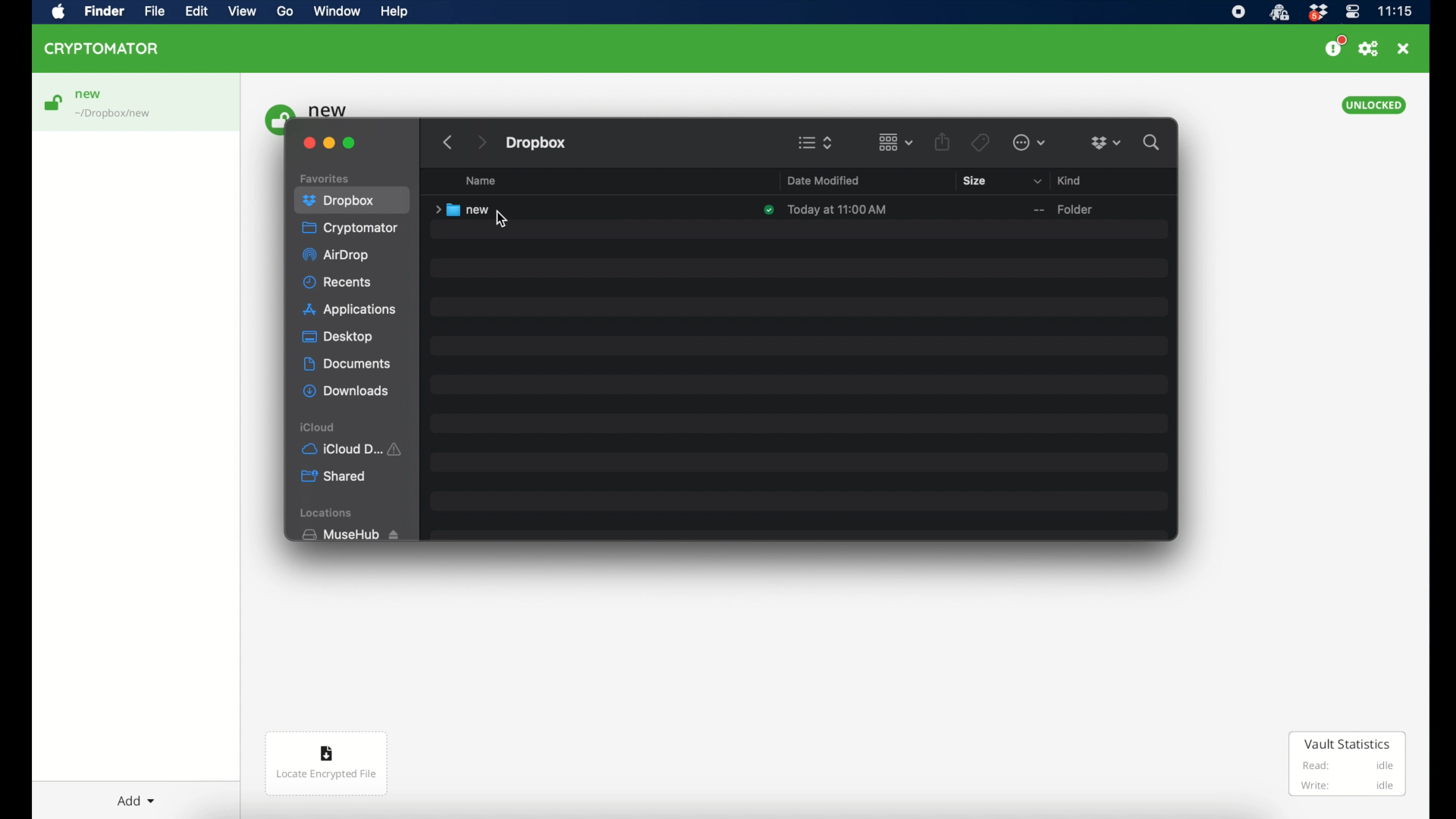 The height and width of the screenshot is (819, 1456). What do you see at coordinates (824, 181) in the screenshot?
I see `date modified` at bounding box center [824, 181].